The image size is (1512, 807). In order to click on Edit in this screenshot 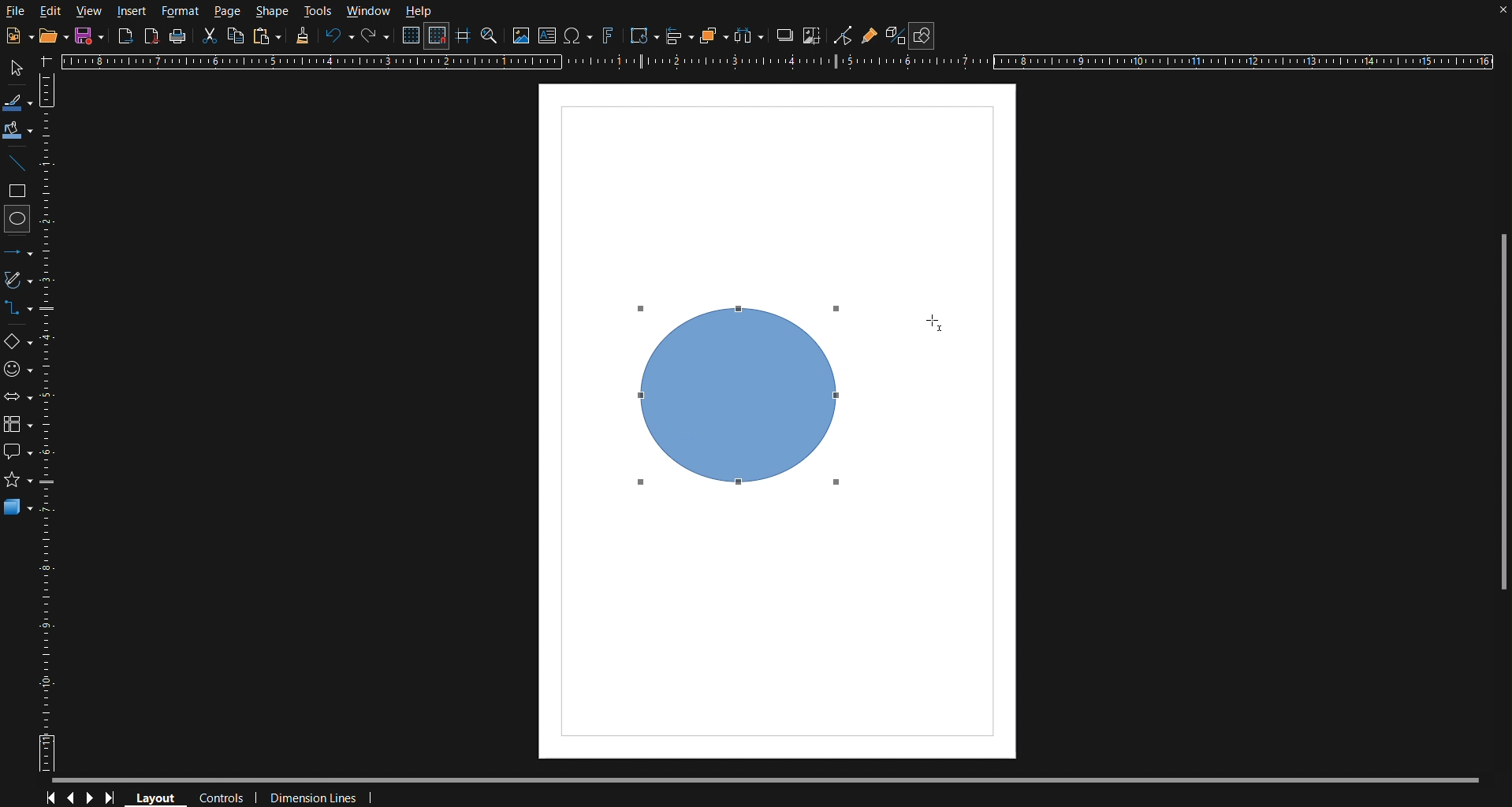, I will do `click(51, 10)`.